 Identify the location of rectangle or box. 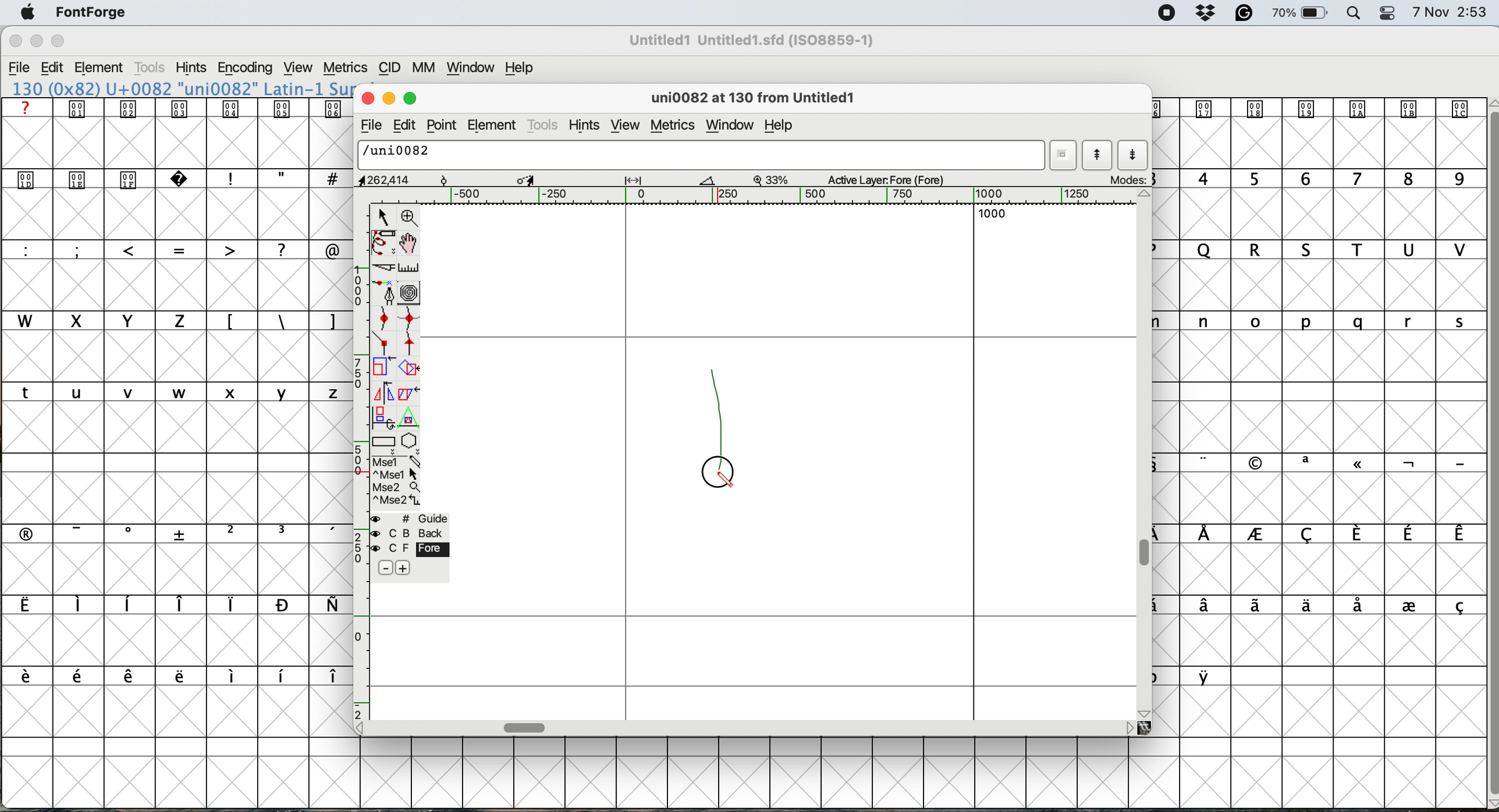
(385, 444).